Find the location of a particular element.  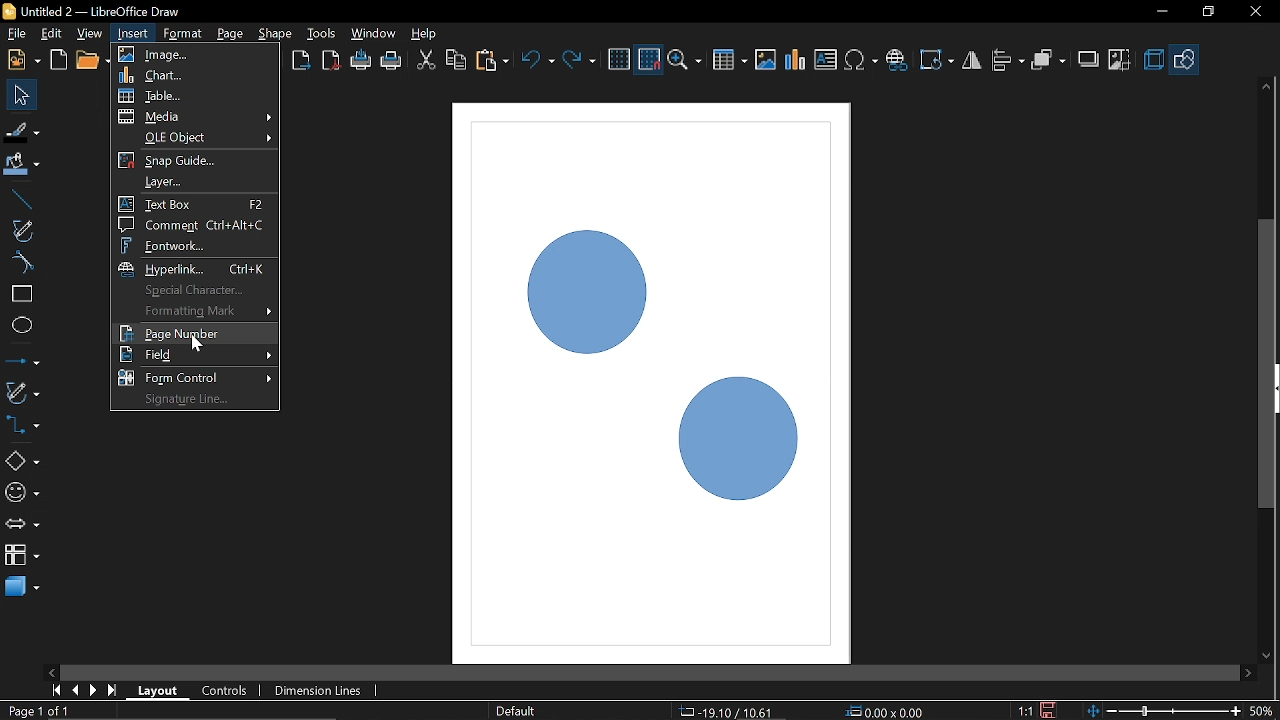

Insert is located at coordinates (134, 33).